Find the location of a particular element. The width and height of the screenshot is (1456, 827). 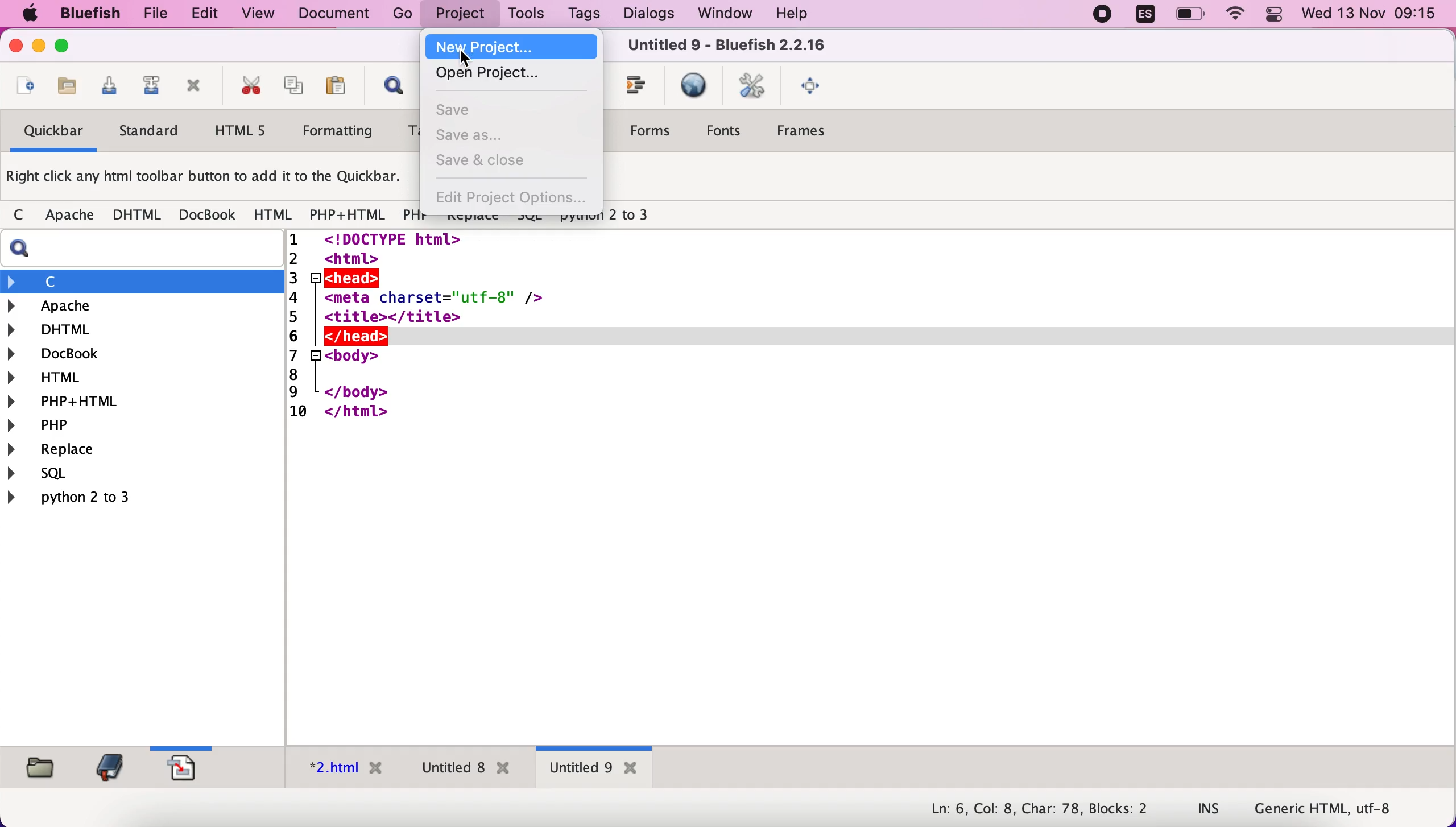

tab is located at coordinates (462, 770).